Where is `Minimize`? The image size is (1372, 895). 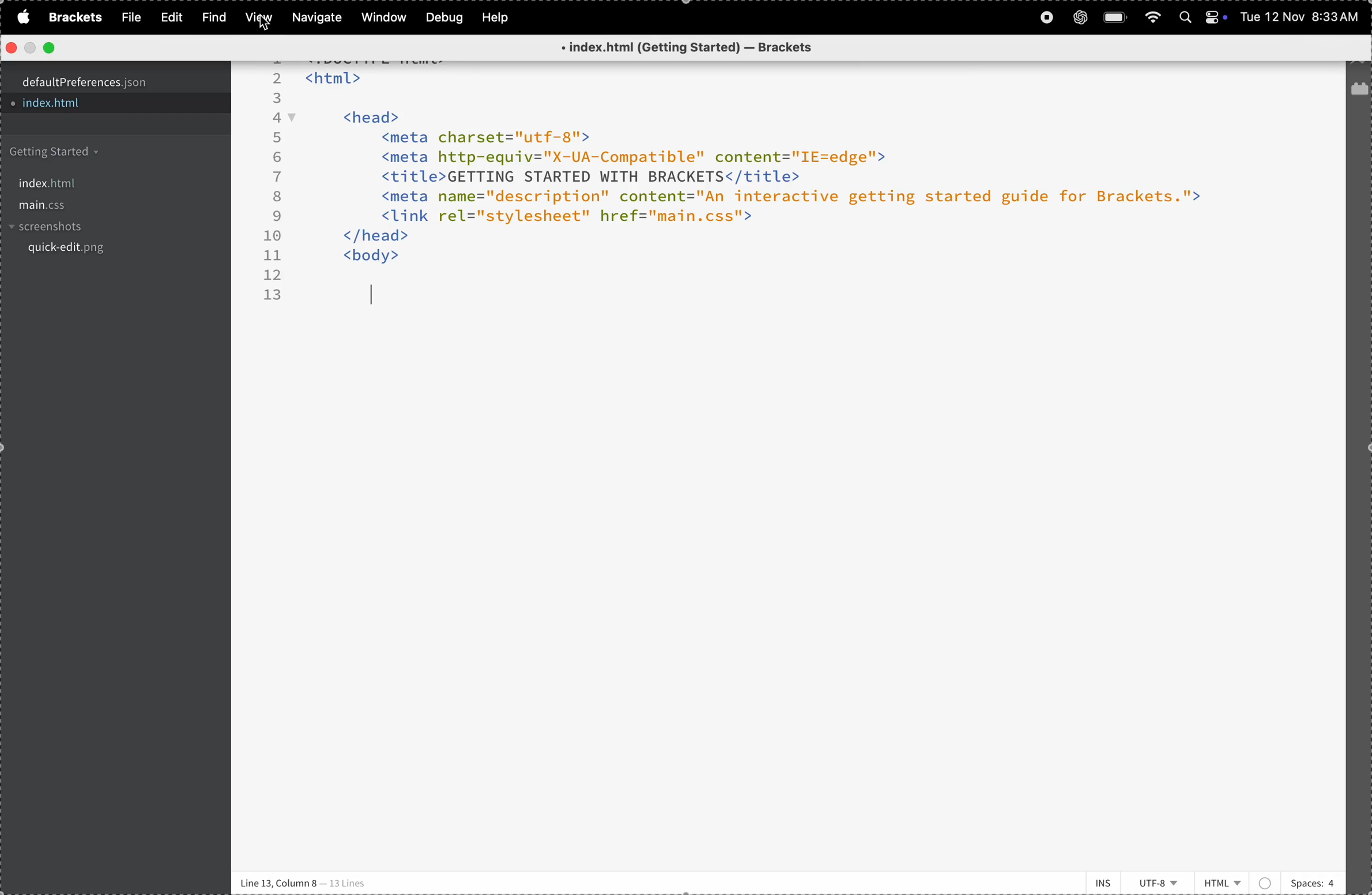 Minimize is located at coordinates (29, 49).